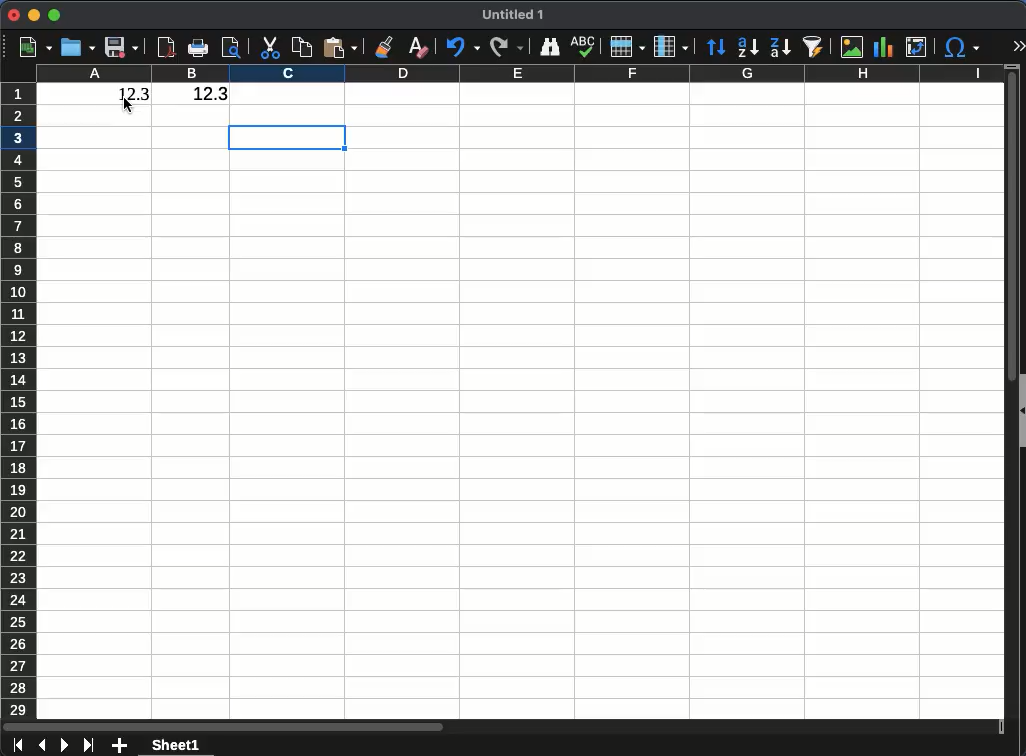 This screenshot has width=1026, height=756. Describe the element at coordinates (176, 745) in the screenshot. I see `sheet 1` at that location.